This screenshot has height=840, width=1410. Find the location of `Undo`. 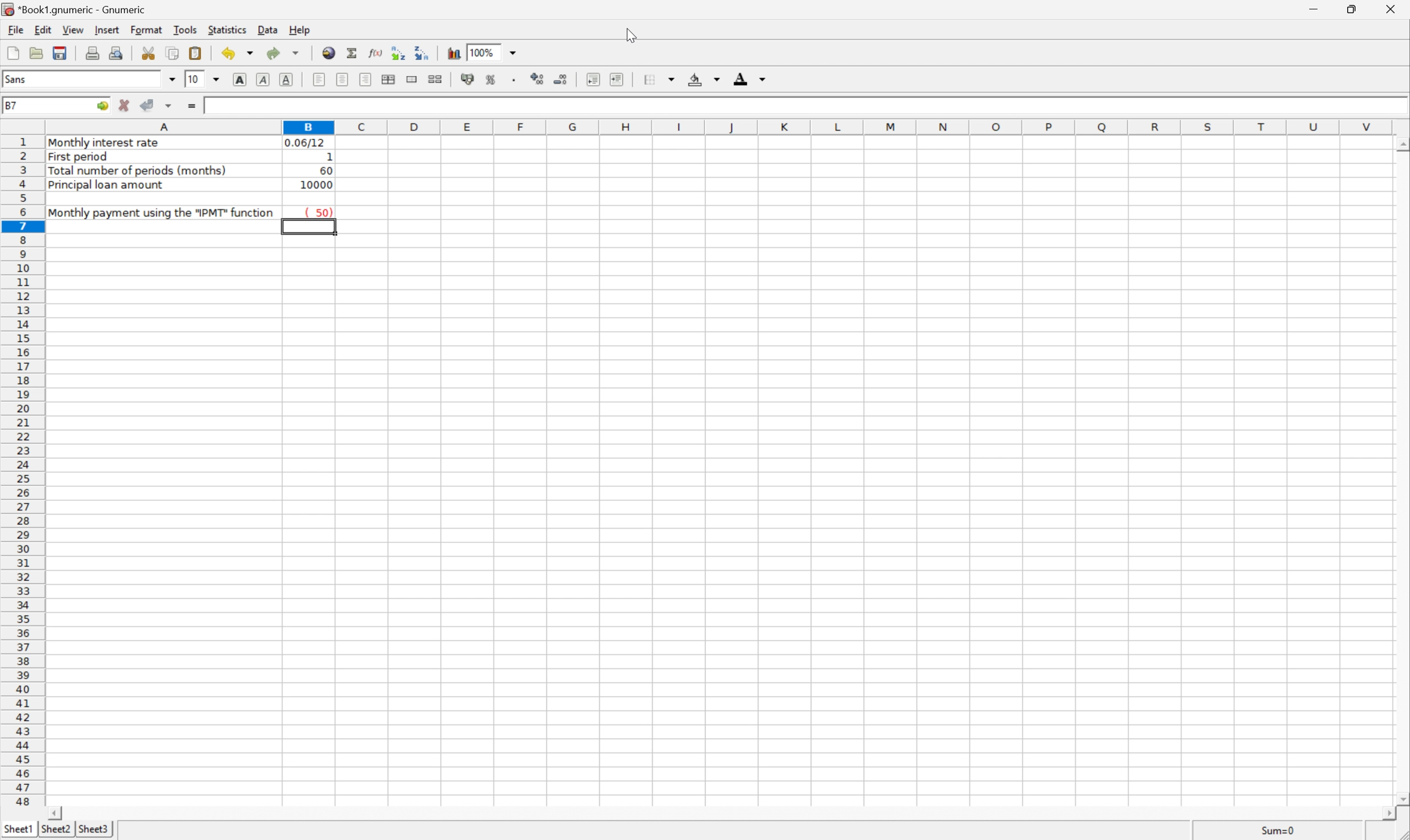

Undo is located at coordinates (239, 52).